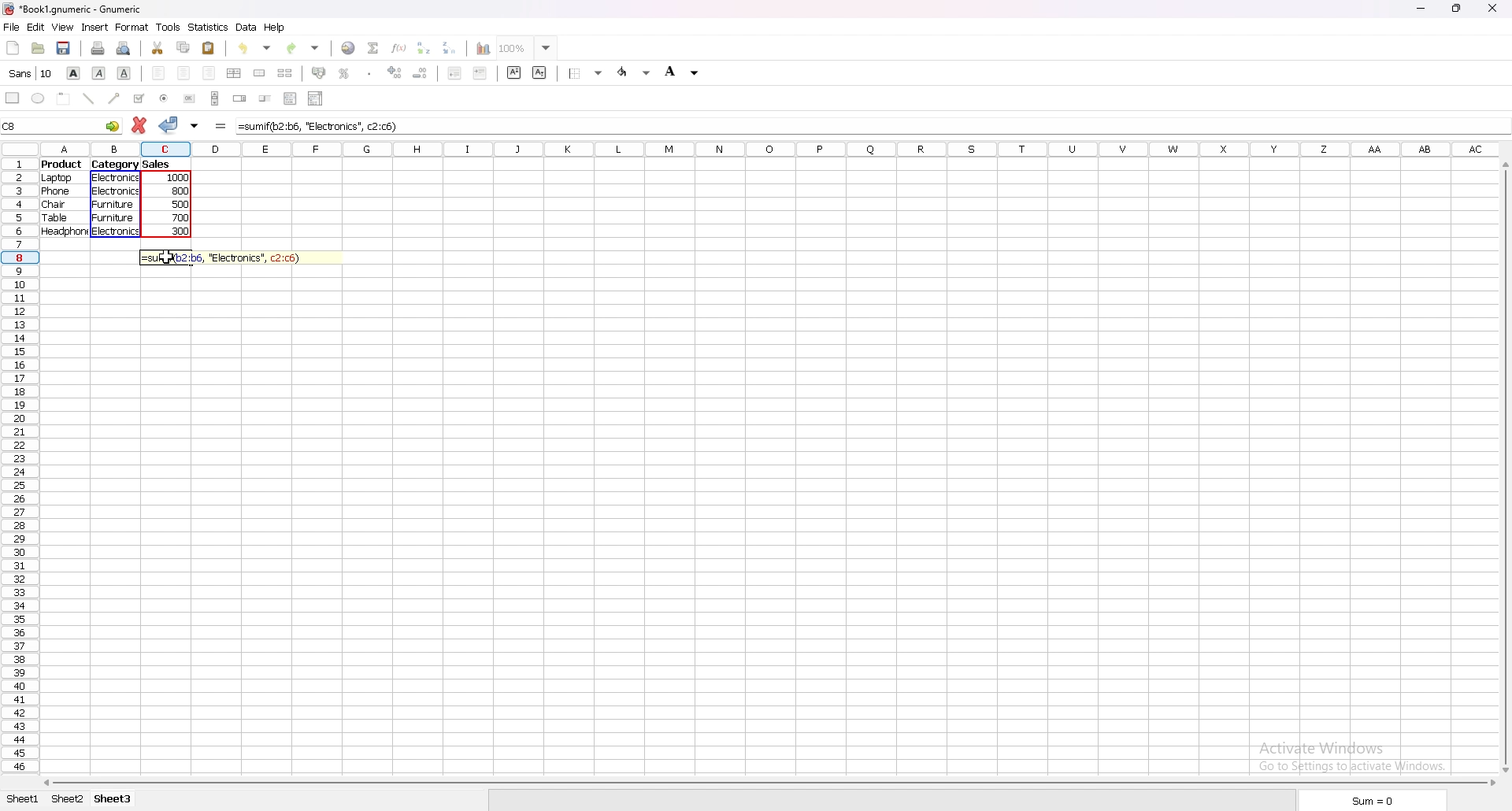 The height and width of the screenshot is (811, 1512). What do you see at coordinates (114, 99) in the screenshot?
I see `arrowed line` at bounding box center [114, 99].